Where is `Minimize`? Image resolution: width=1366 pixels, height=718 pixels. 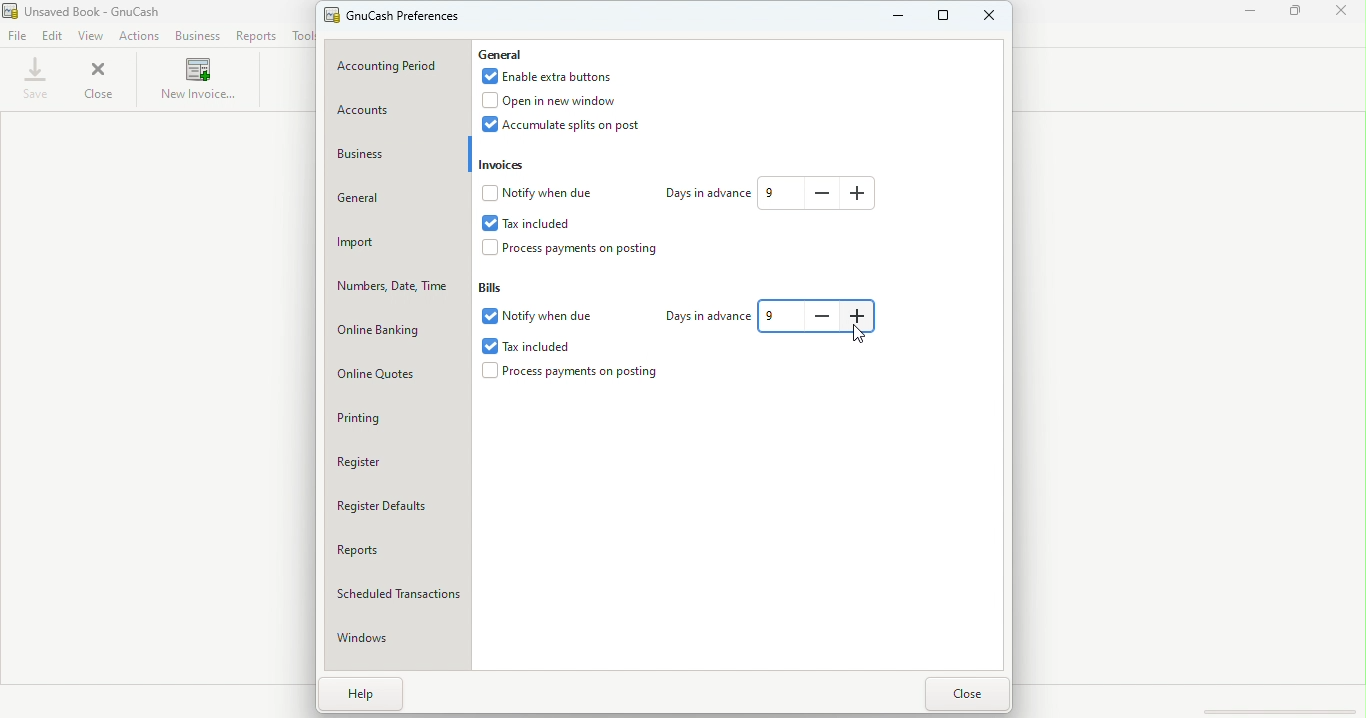 Minimize is located at coordinates (1247, 15).